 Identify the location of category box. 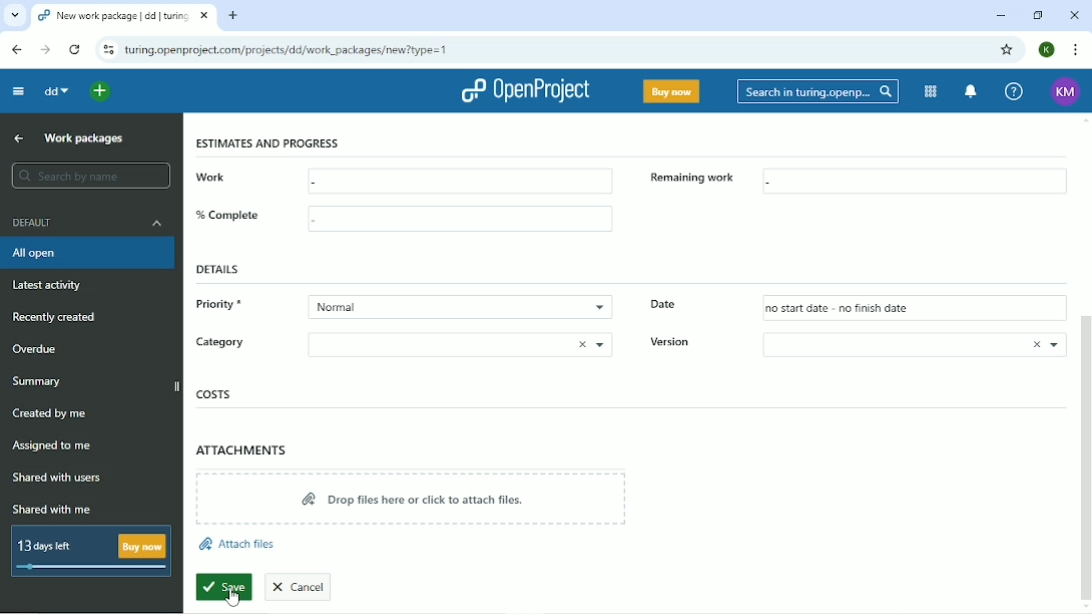
(415, 346).